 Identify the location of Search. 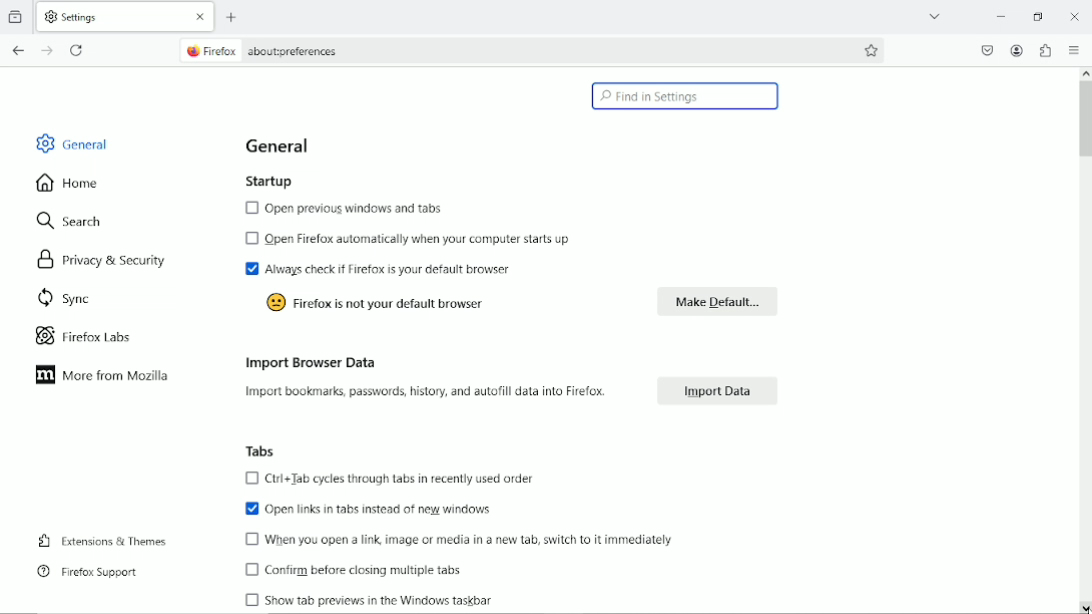
(75, 220).